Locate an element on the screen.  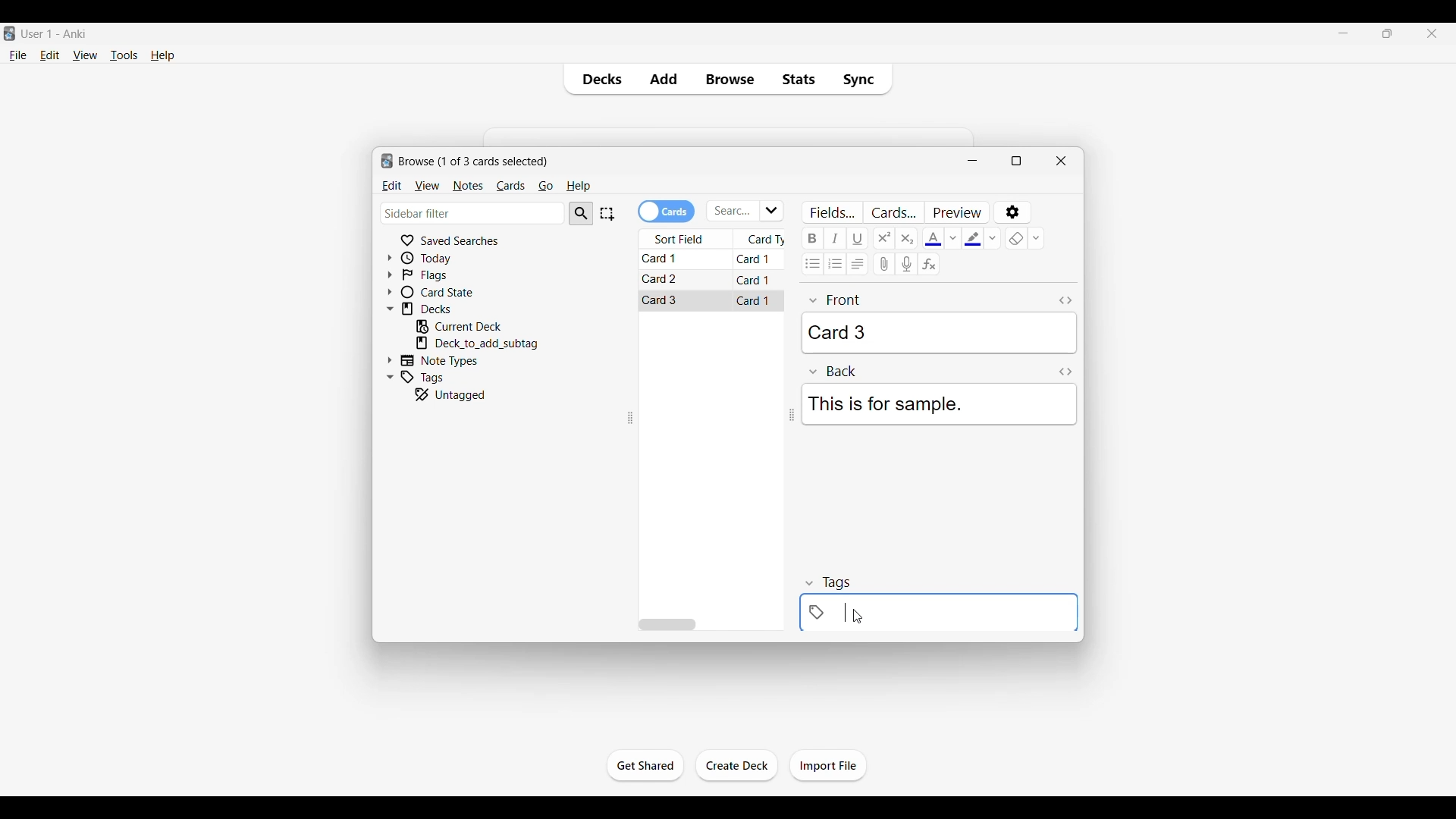
Click to go to Note types is located at coordinates (447, 360).